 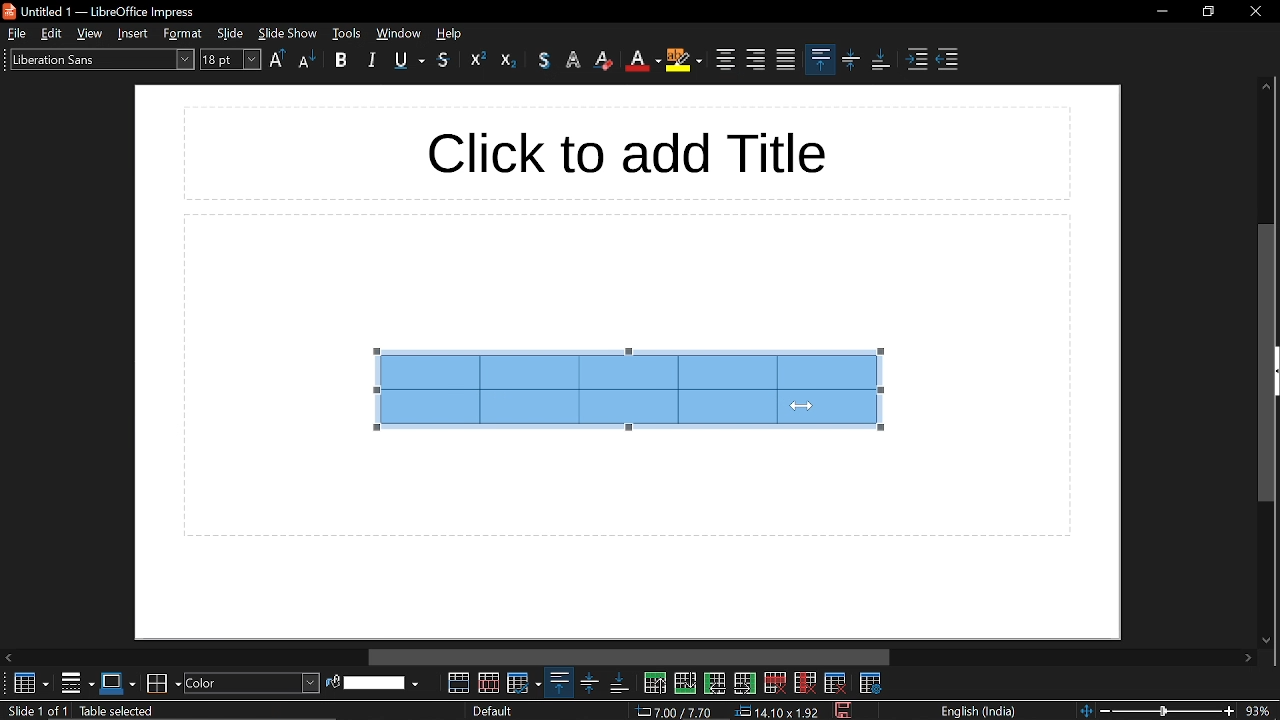 What do you see at coordinates (558, 683) in the screenshot?
I see `align top` at bounding box center [558, 683].